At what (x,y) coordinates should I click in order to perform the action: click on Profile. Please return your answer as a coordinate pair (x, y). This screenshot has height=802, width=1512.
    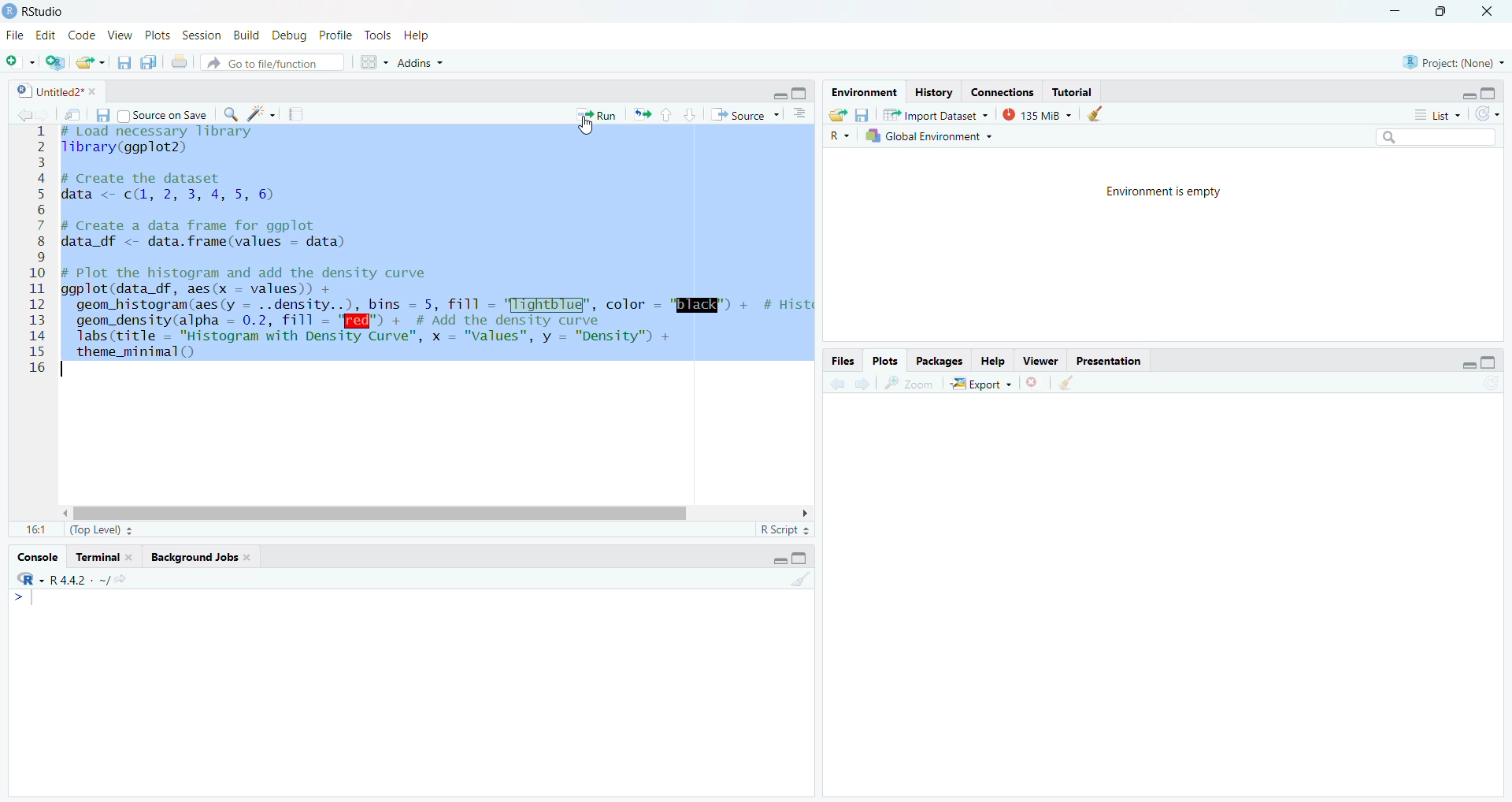
    Looking at the image, I should click on (334, 35).